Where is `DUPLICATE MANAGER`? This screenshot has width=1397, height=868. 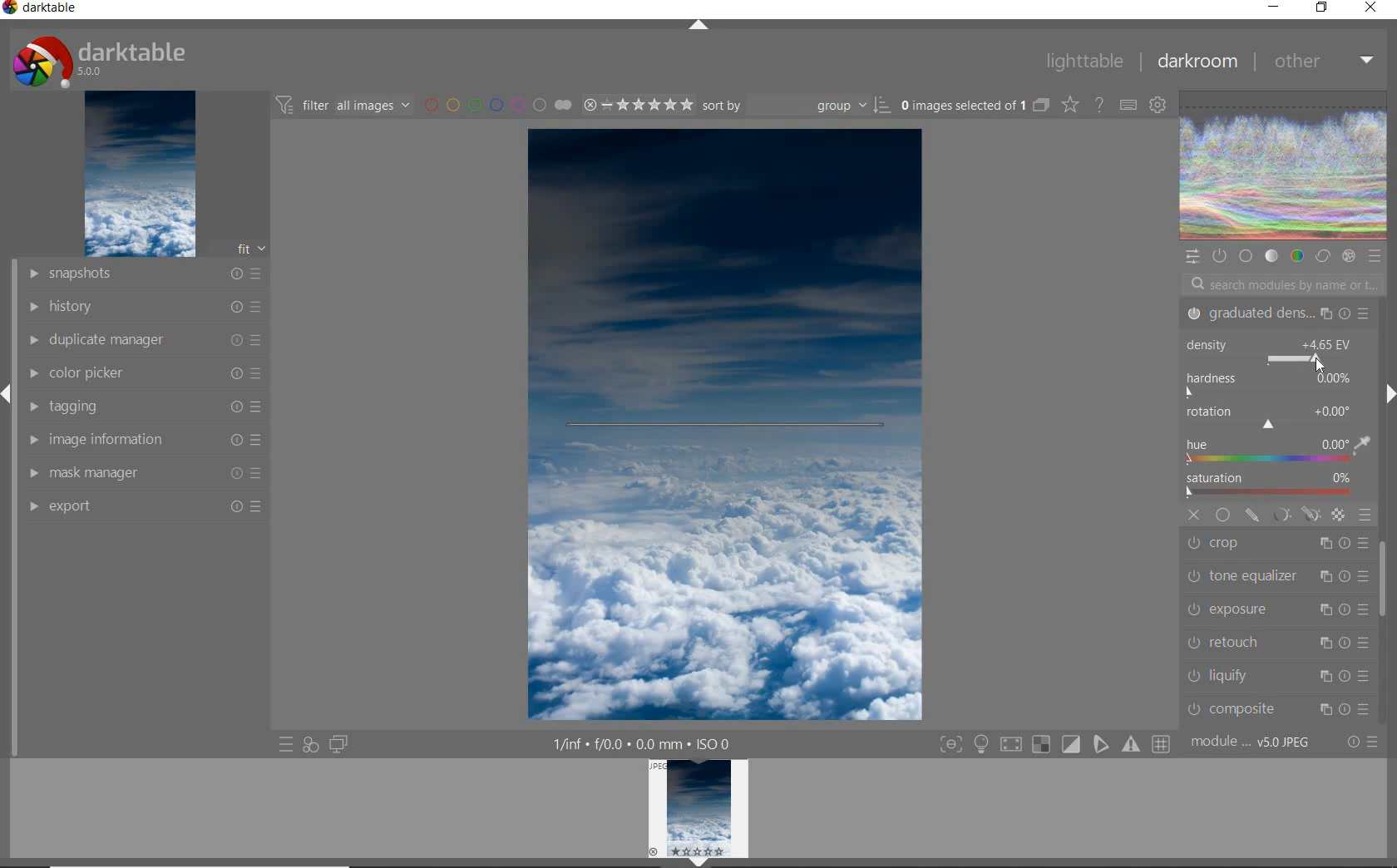 DUPLICATE MANAGER is located at coordinates (142, 340).